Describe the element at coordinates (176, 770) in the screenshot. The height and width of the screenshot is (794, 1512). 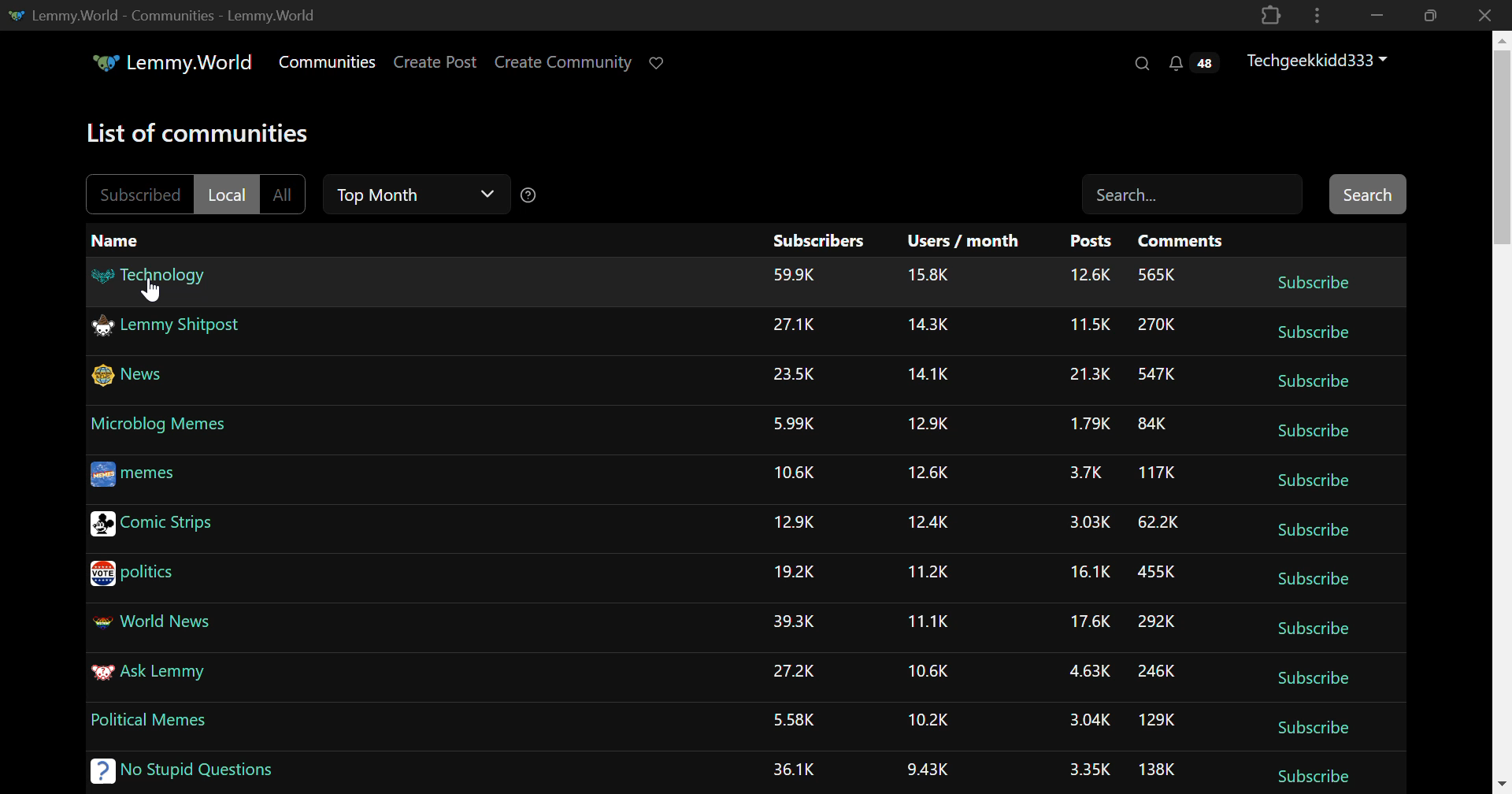
I see `No Stupid Questions` at that location.